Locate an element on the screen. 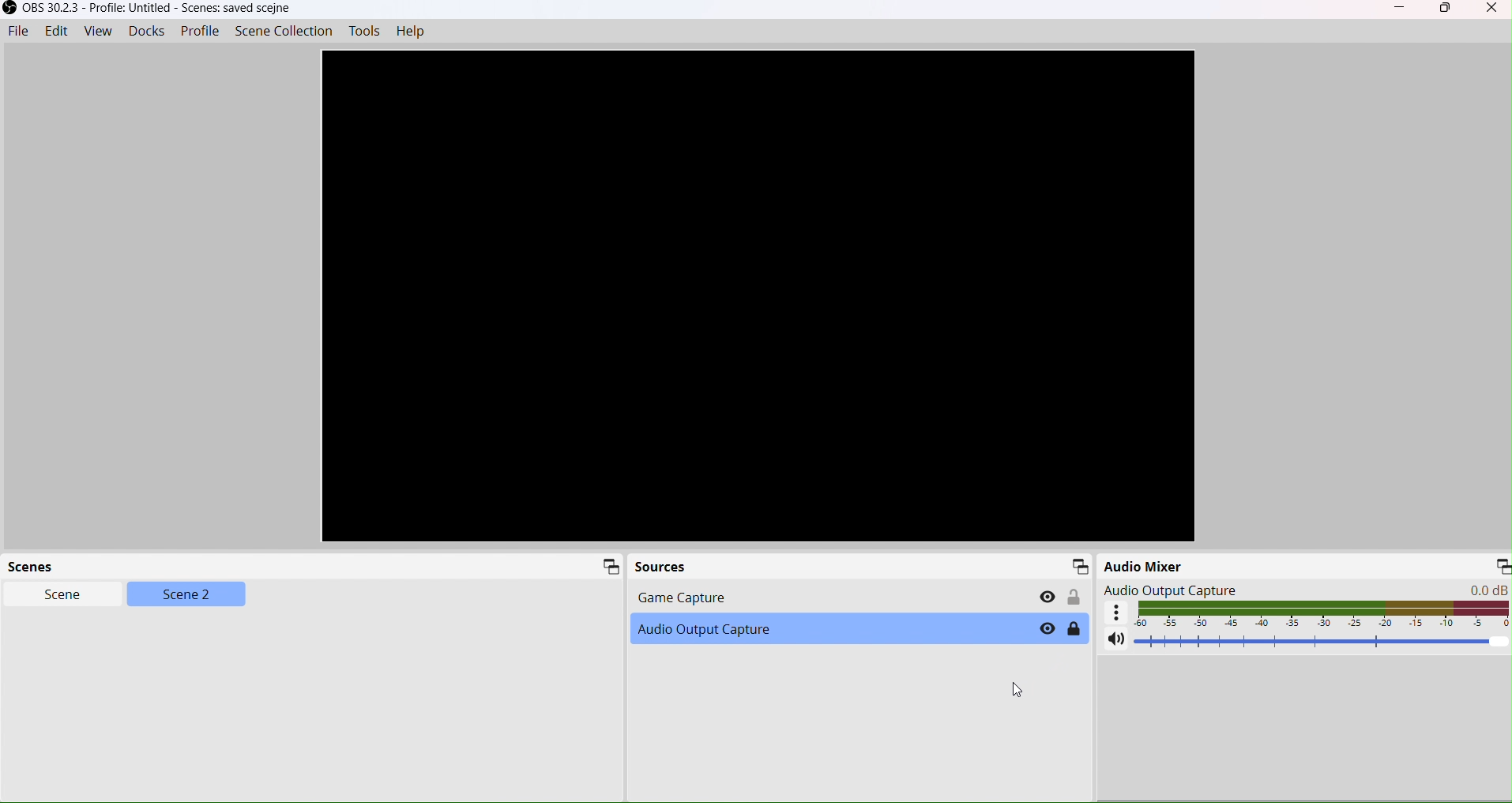 Image resolution: width=1512 pixels, height=803 pixels. Minimize is located at coordinates (1400, 9).